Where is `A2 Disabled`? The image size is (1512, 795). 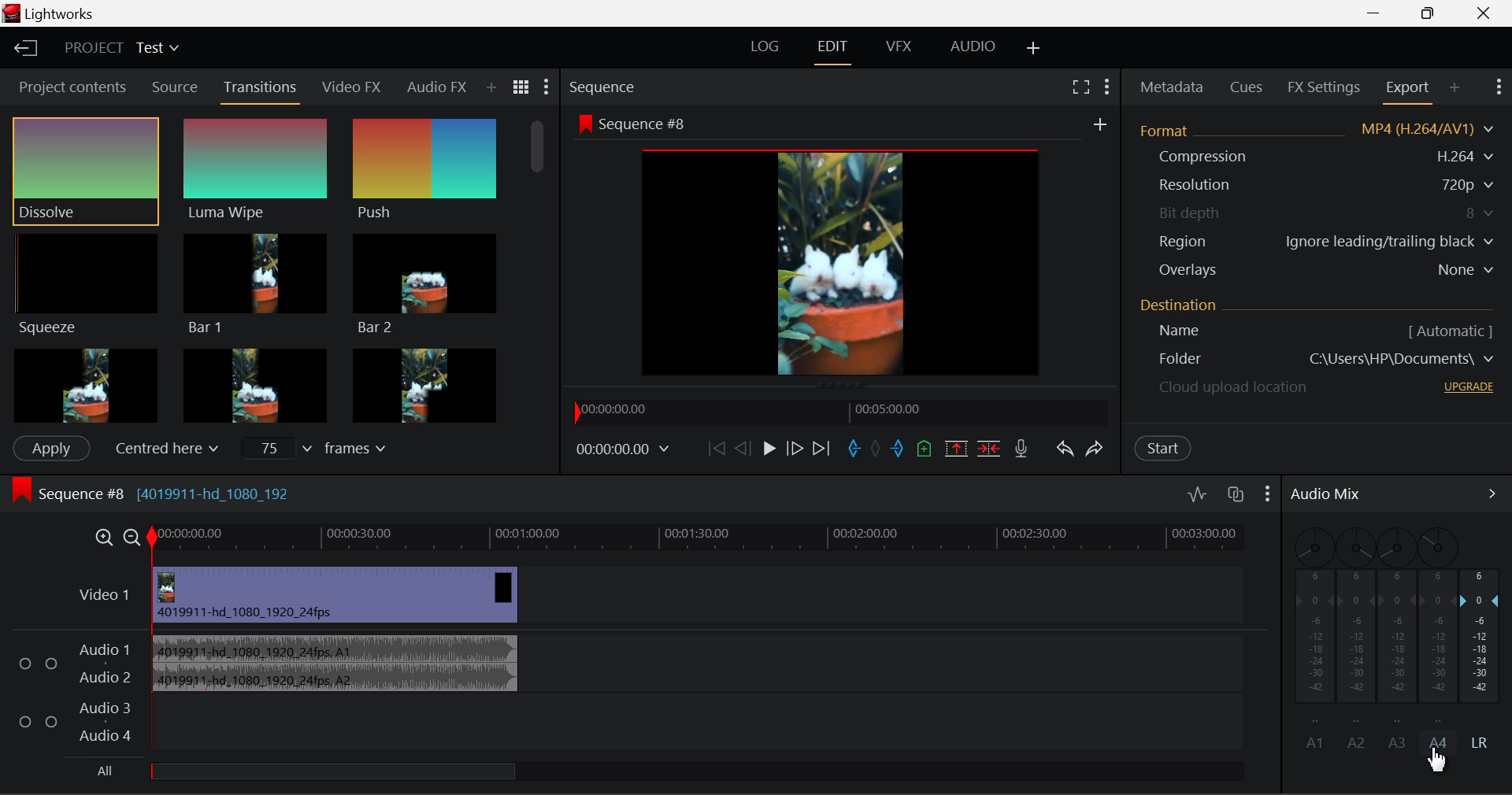 A2 Disabled is located at coordinates (1356, 637).